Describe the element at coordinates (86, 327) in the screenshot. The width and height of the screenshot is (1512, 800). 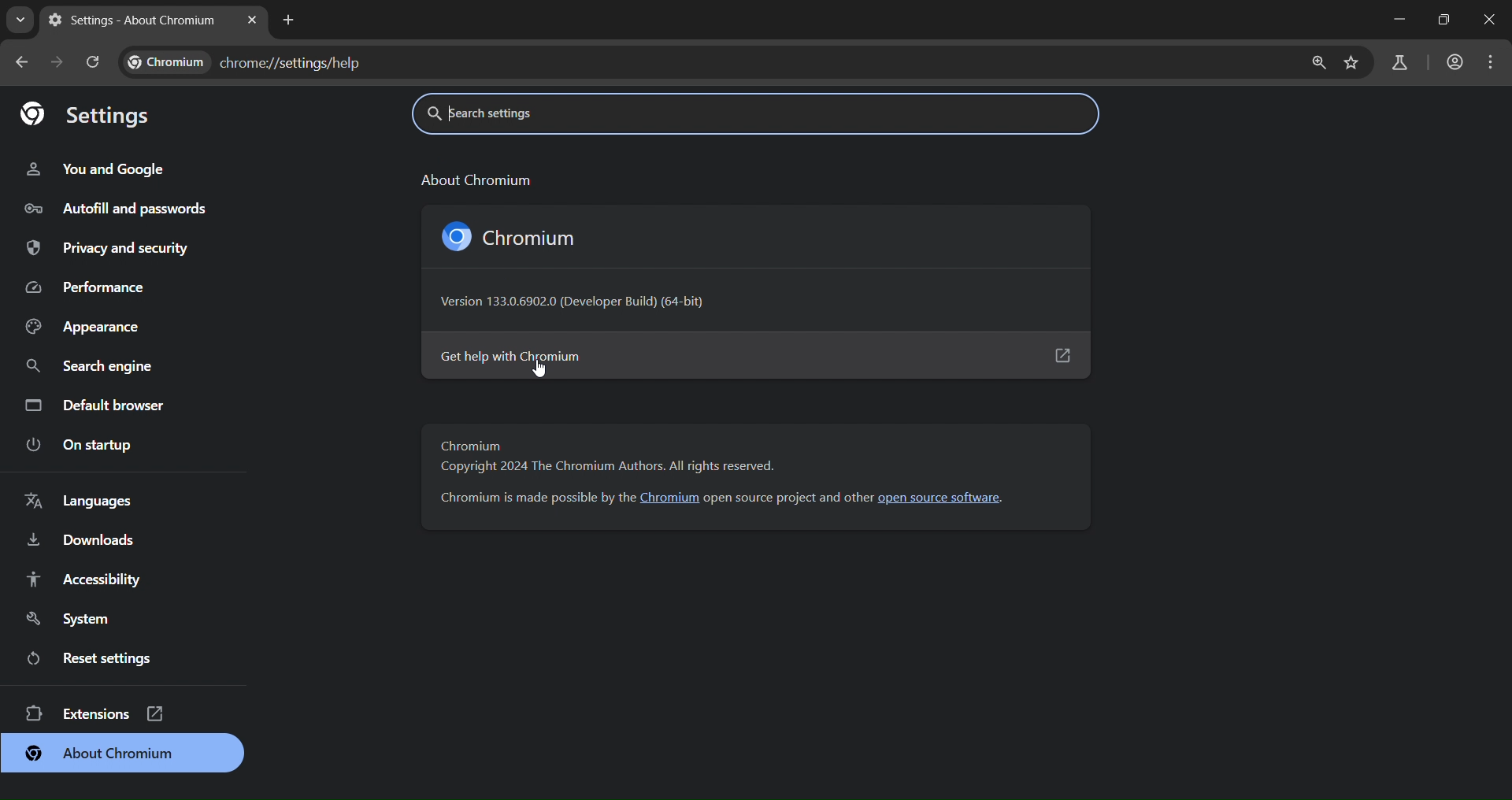
I see `apperance` at that location.